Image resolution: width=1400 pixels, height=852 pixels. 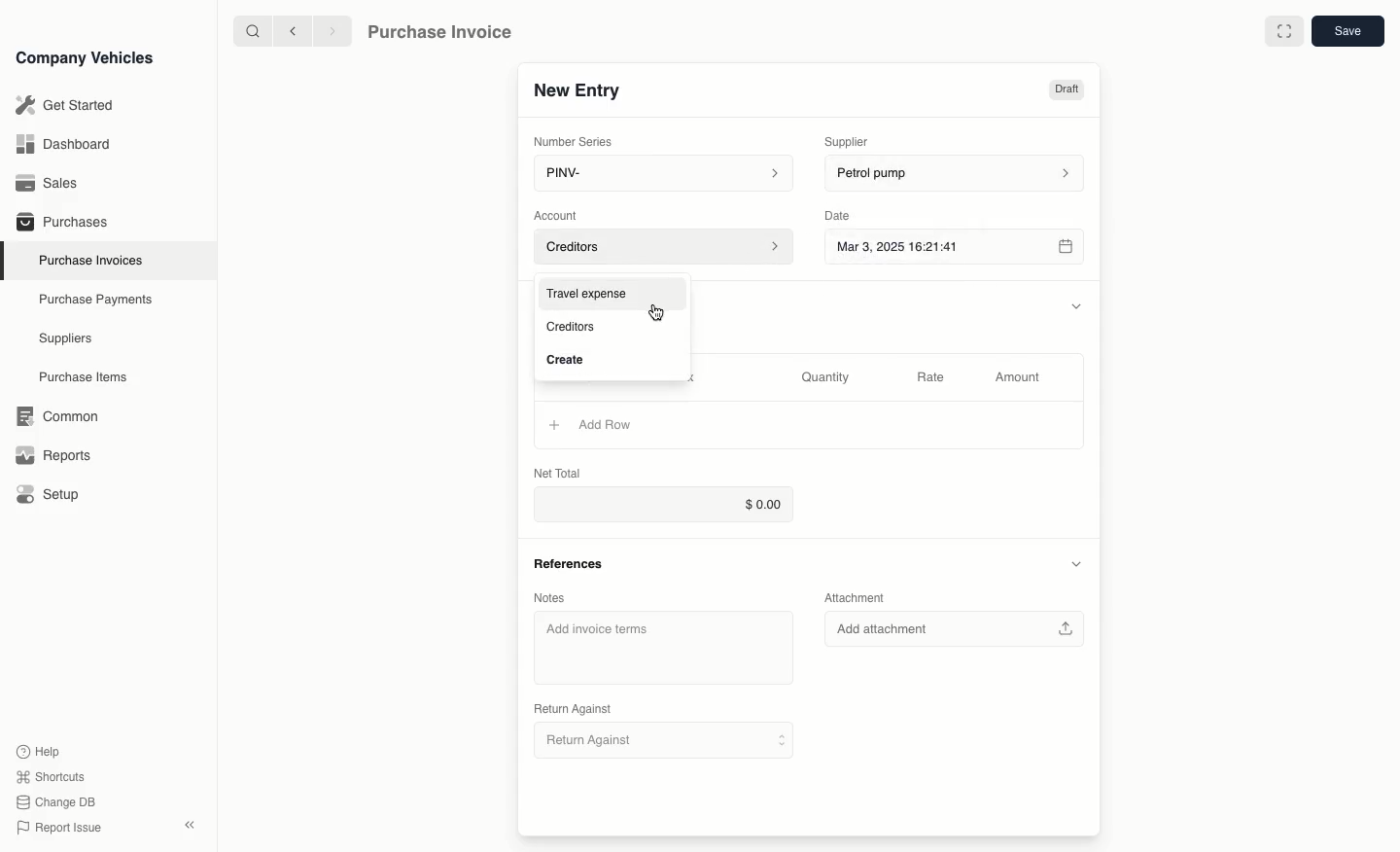 I want to click on calender, so click(x=1067, y=248).